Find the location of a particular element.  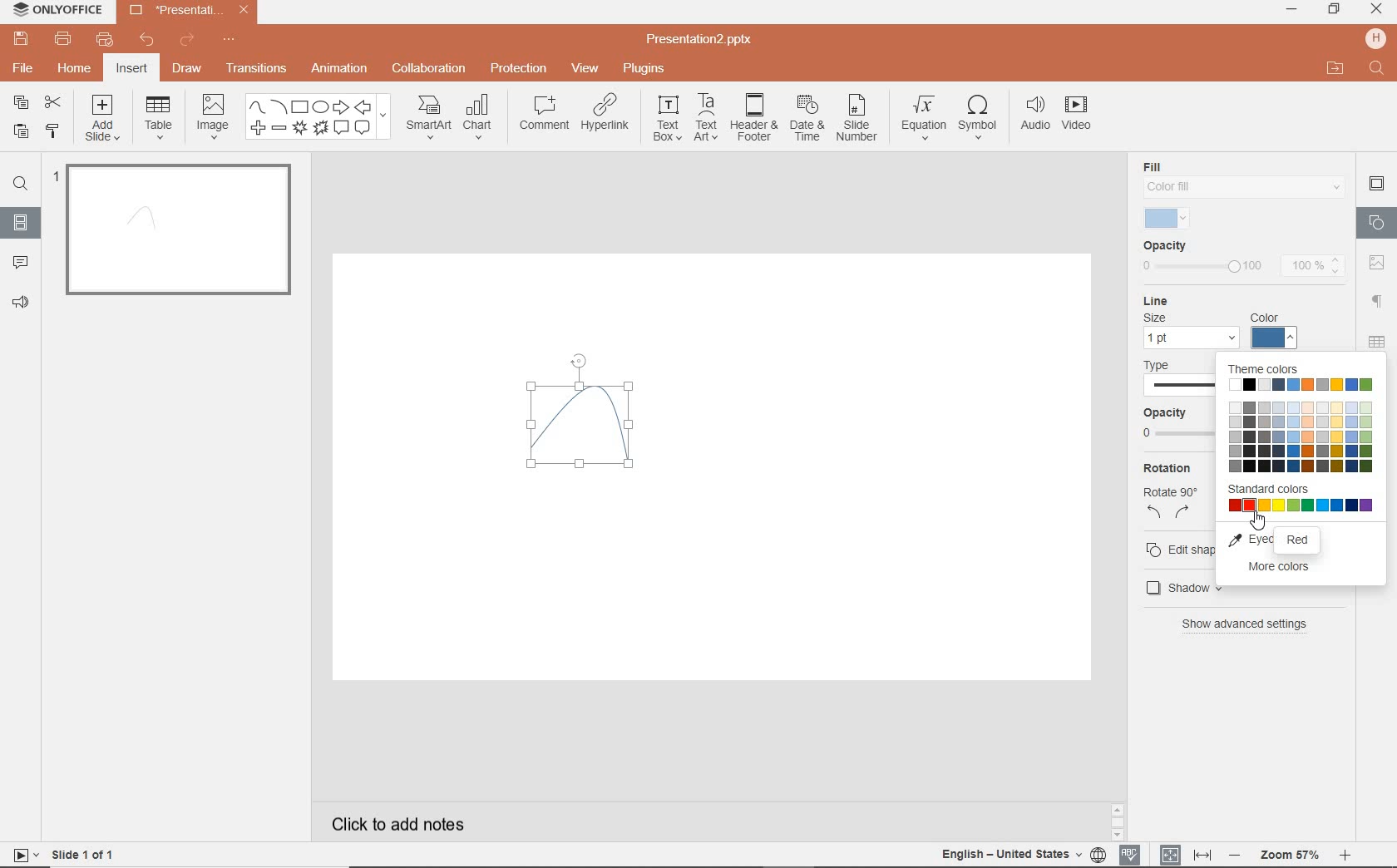

VIEW is located at coordinates (585, 67).